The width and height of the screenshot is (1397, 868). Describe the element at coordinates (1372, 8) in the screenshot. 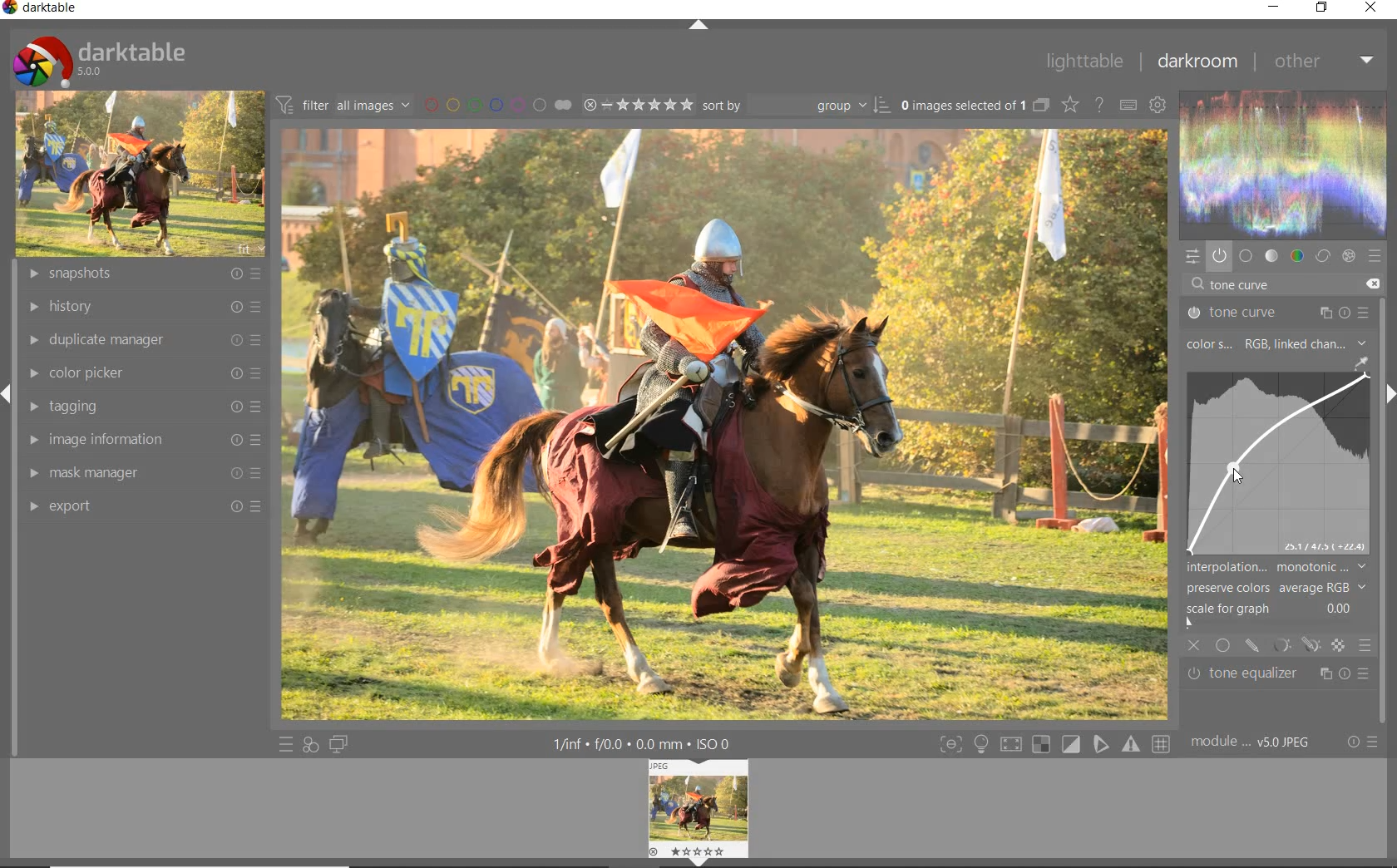

I see `close` at that location.